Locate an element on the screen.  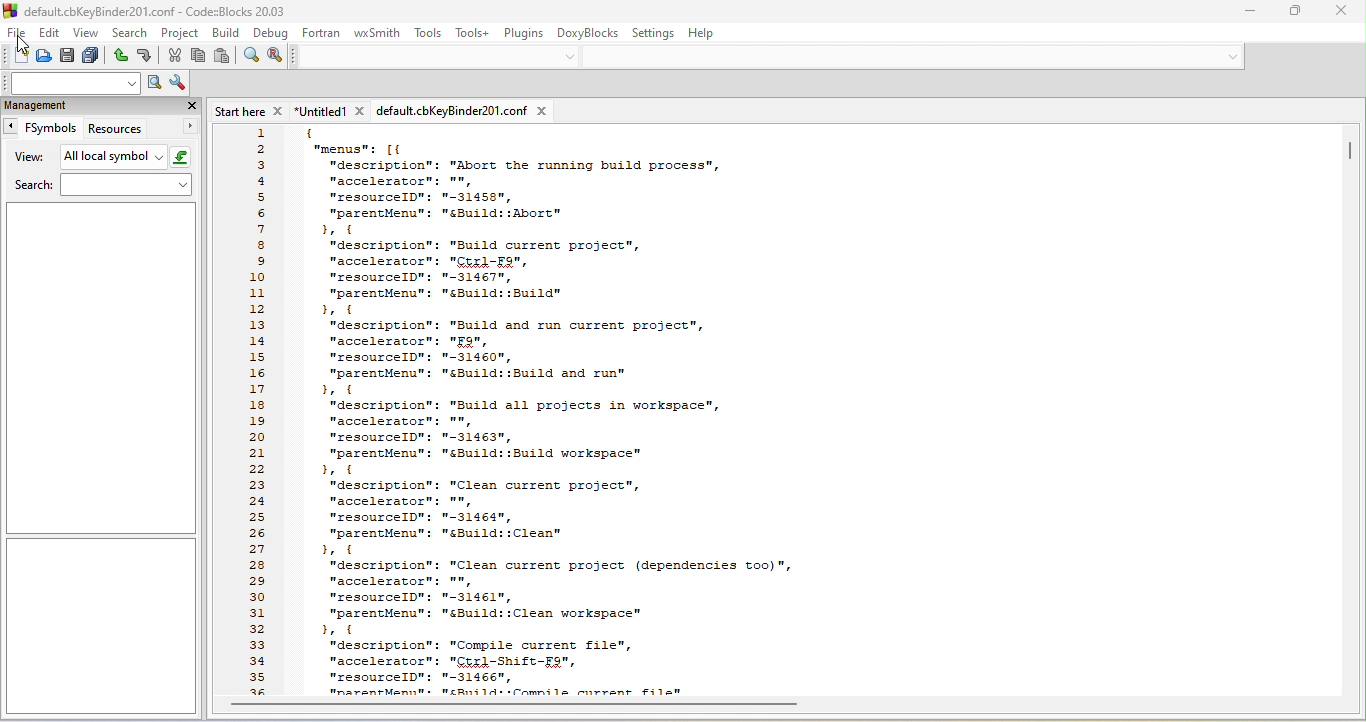
defaultcbkey binder is located at coordinates (462, 111).